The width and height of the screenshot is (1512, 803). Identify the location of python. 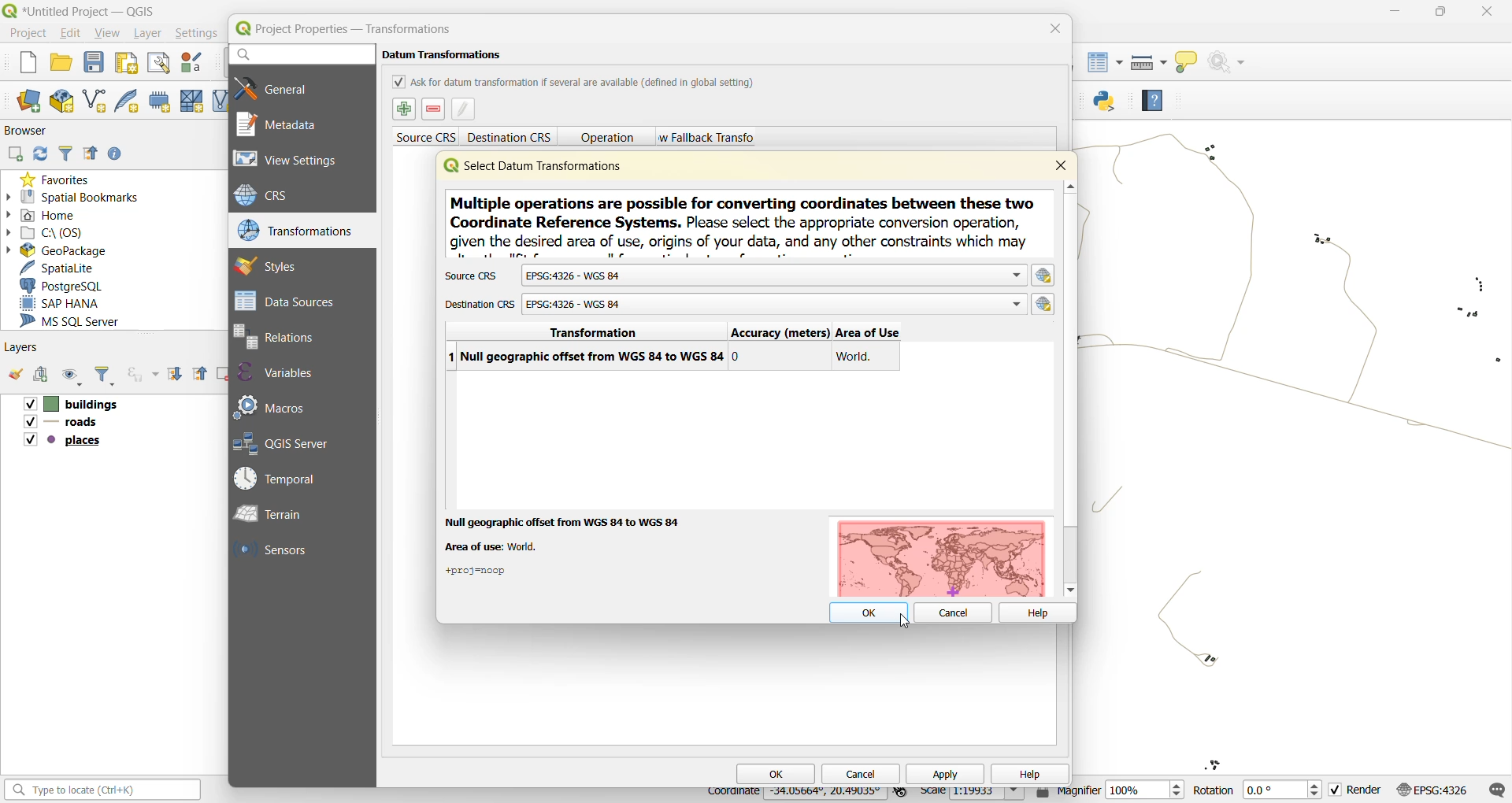
(1110, 103).